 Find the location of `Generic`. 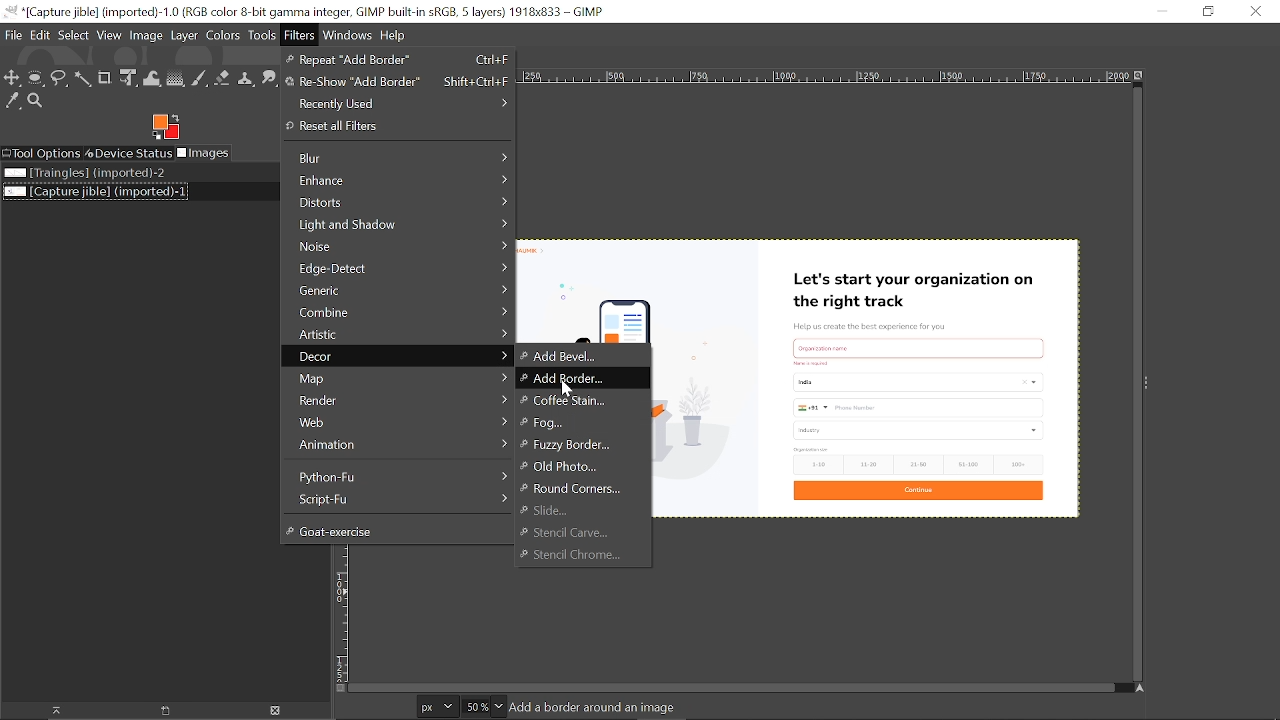

Generic is located at coordinates (400, 292).